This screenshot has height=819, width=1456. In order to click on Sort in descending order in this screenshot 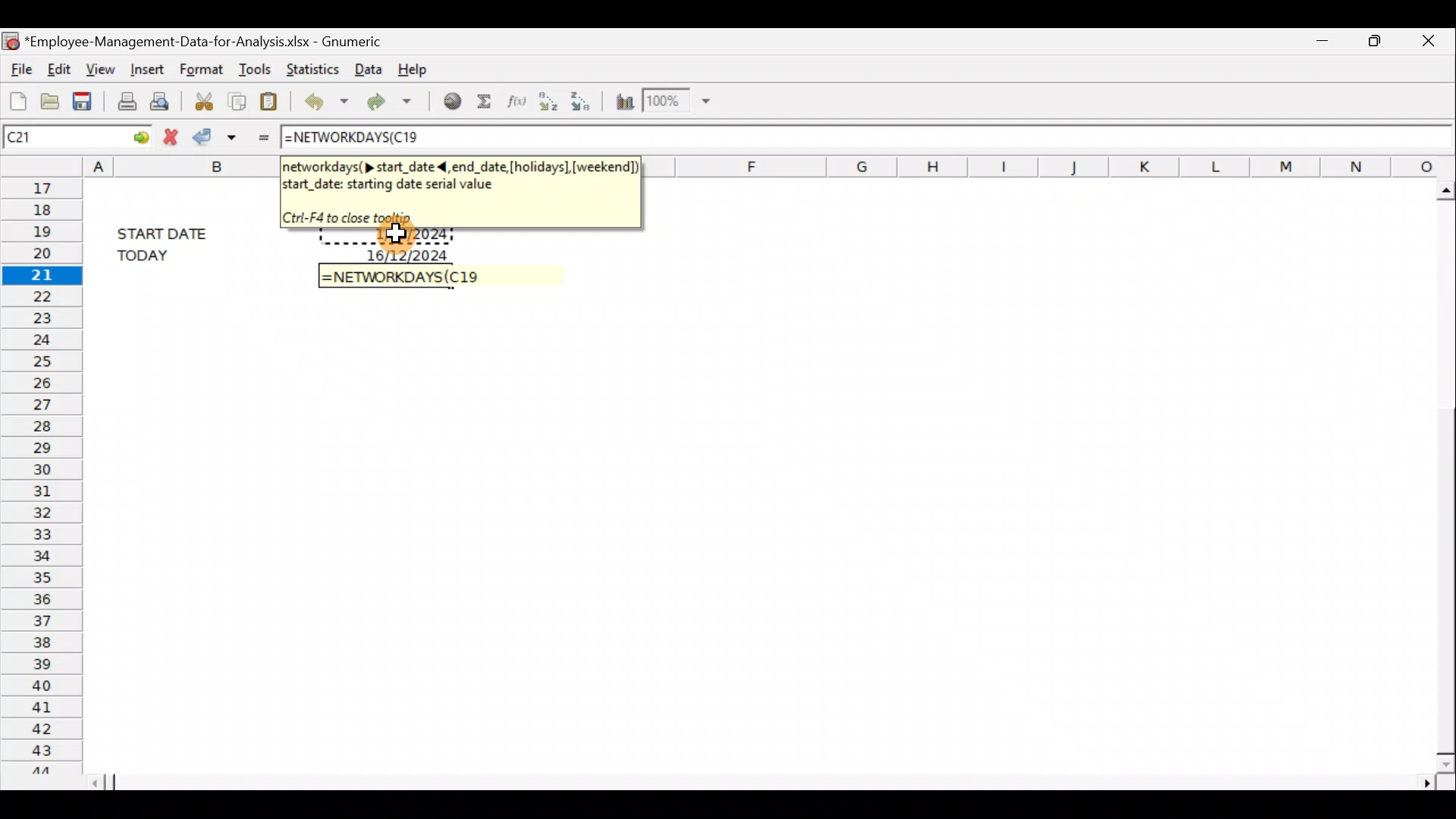, I will do `click(584, 101)`.